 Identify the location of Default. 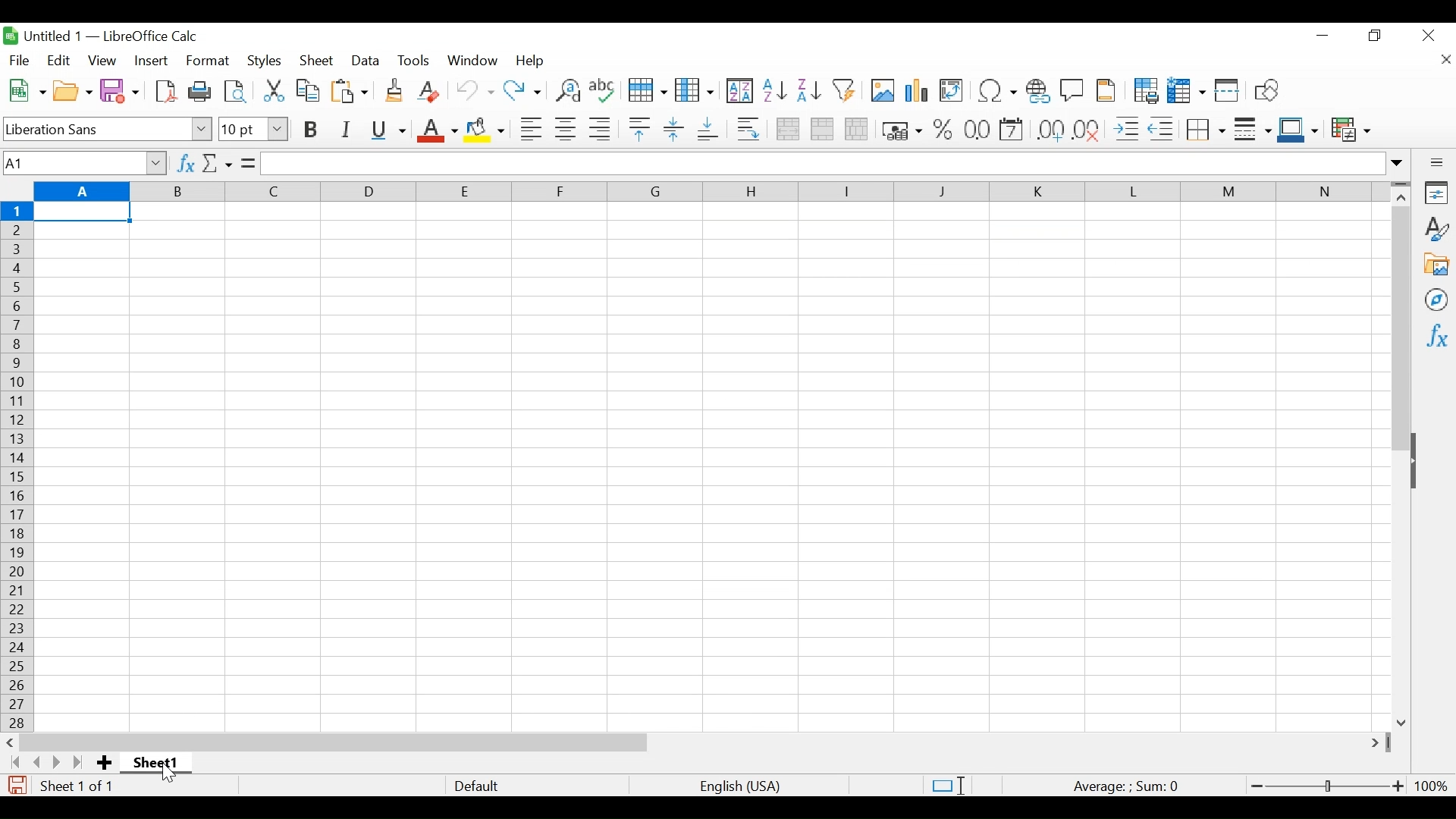
(476, 785).